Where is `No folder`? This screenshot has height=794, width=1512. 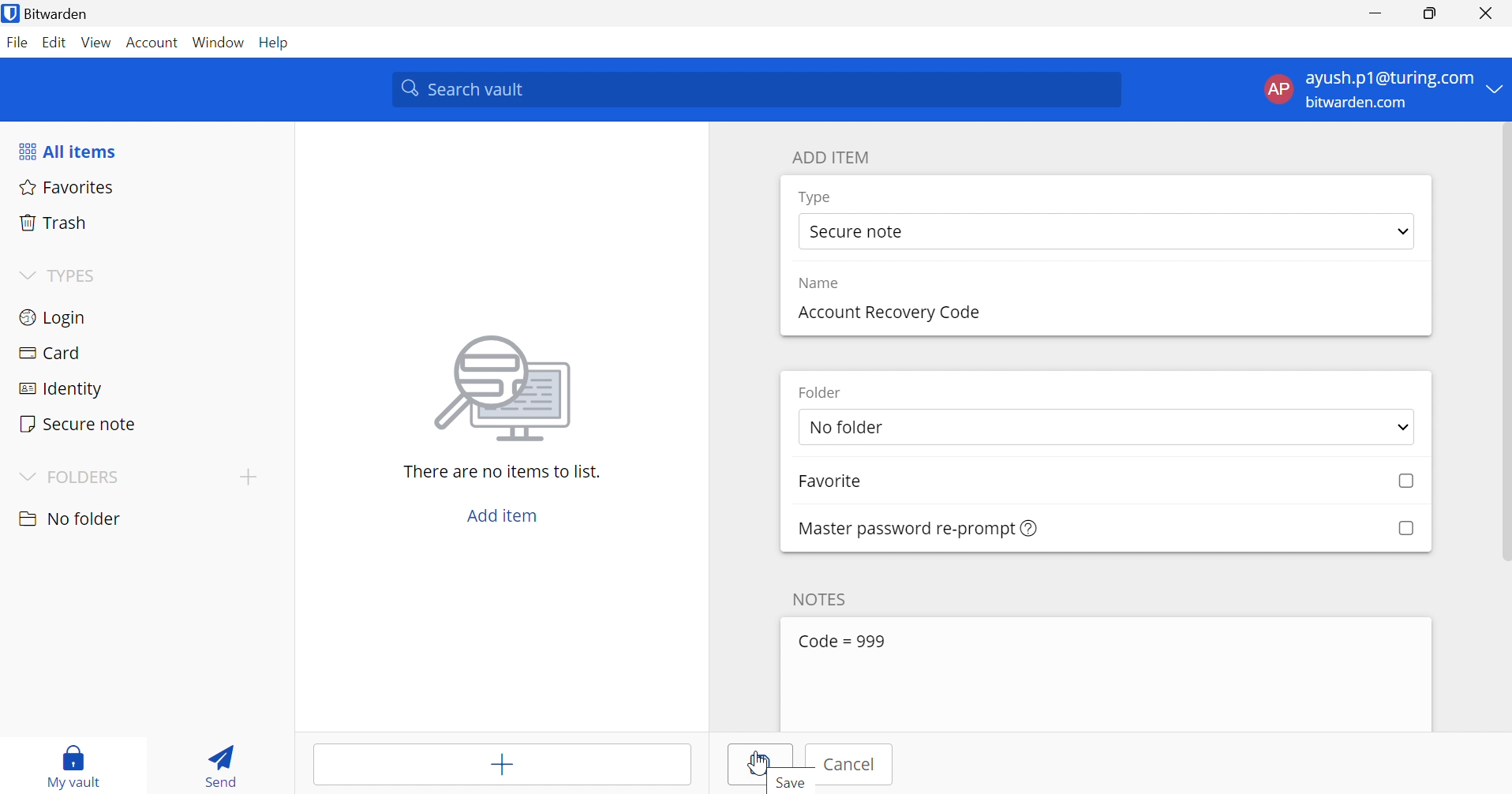
No folder is located at coordinates (919, 429).